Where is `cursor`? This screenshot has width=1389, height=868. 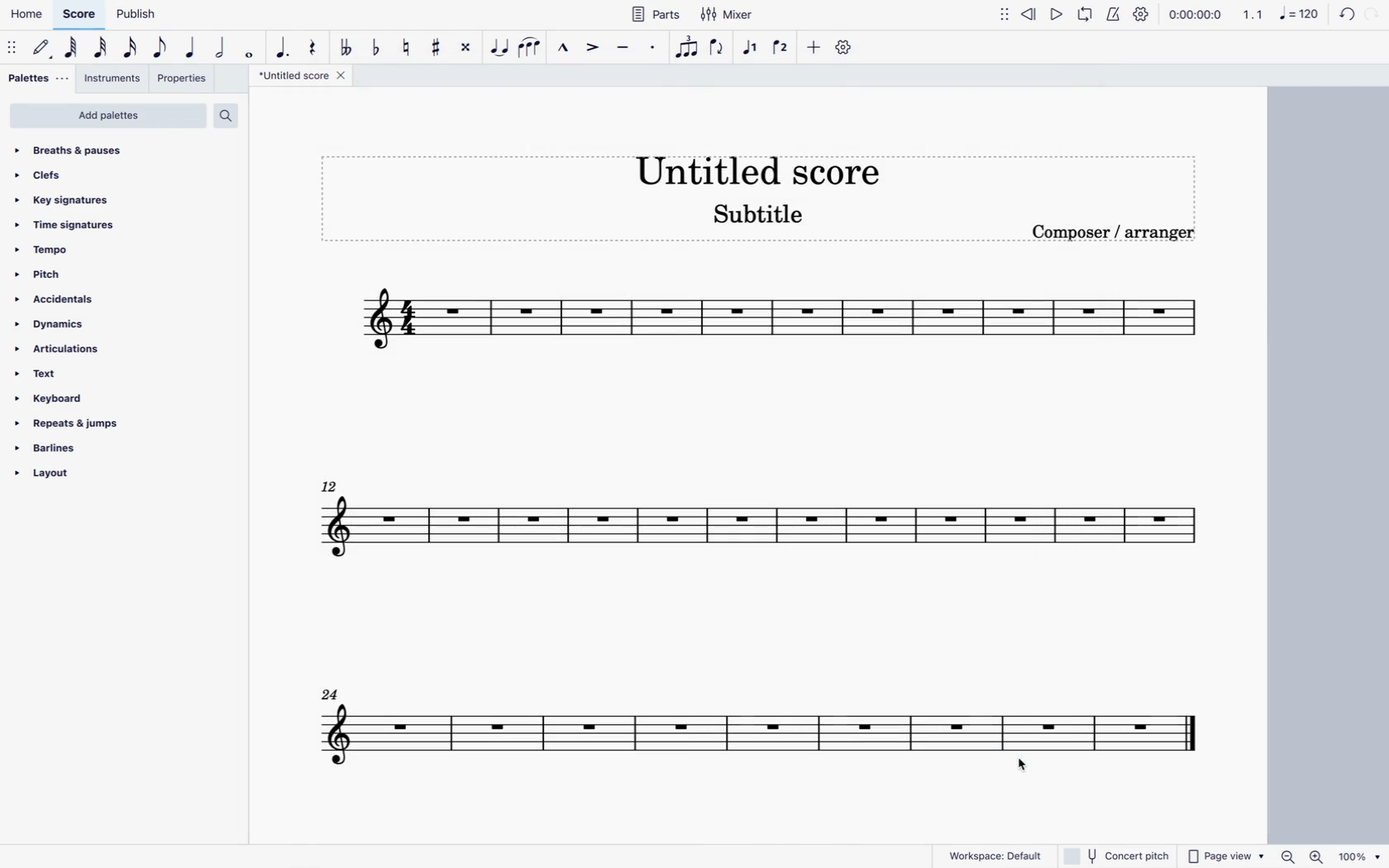
cursor is located at coordinates (1026, 769).